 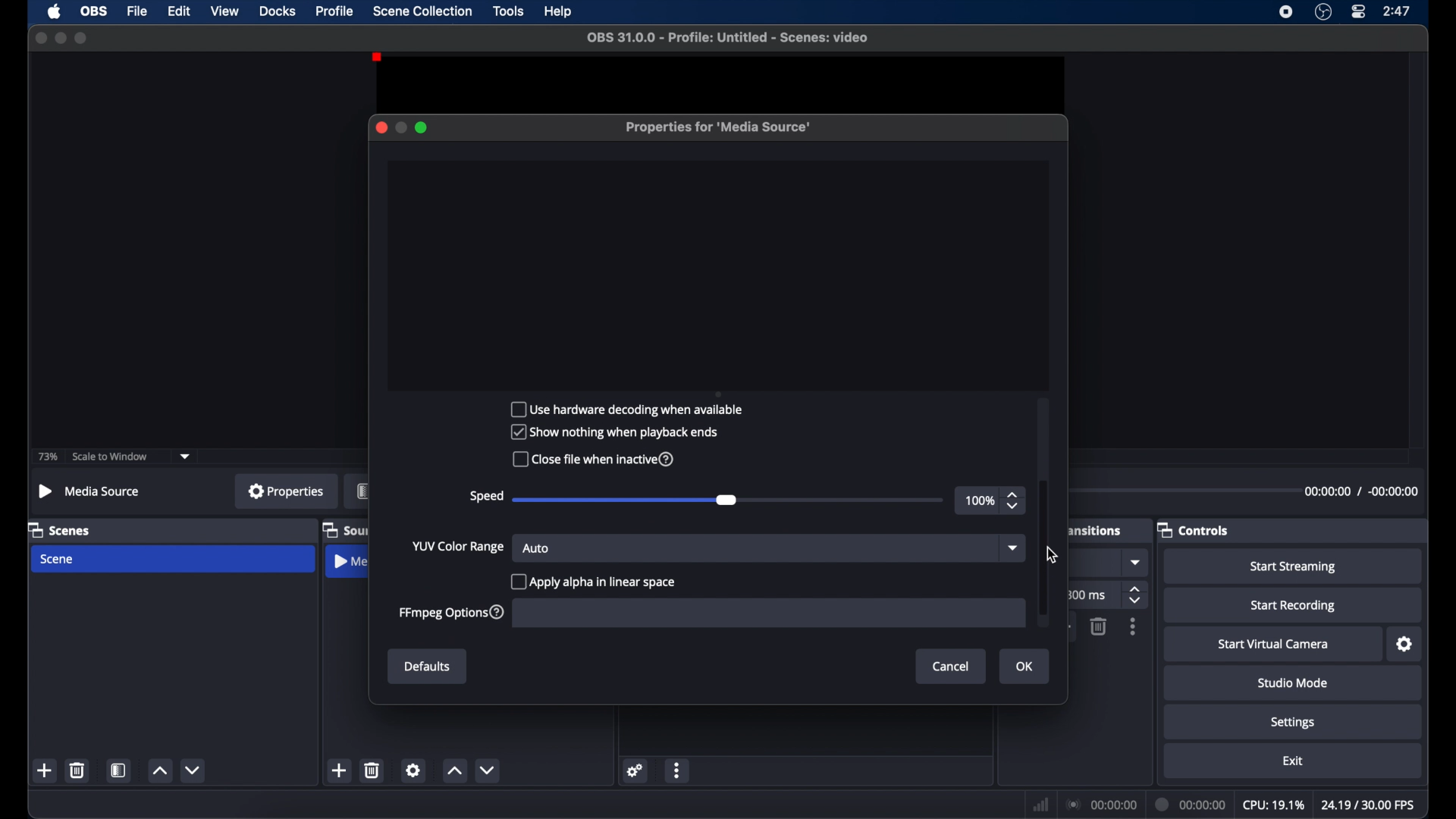 I want to click on connection, so click(x=1102, y=805).